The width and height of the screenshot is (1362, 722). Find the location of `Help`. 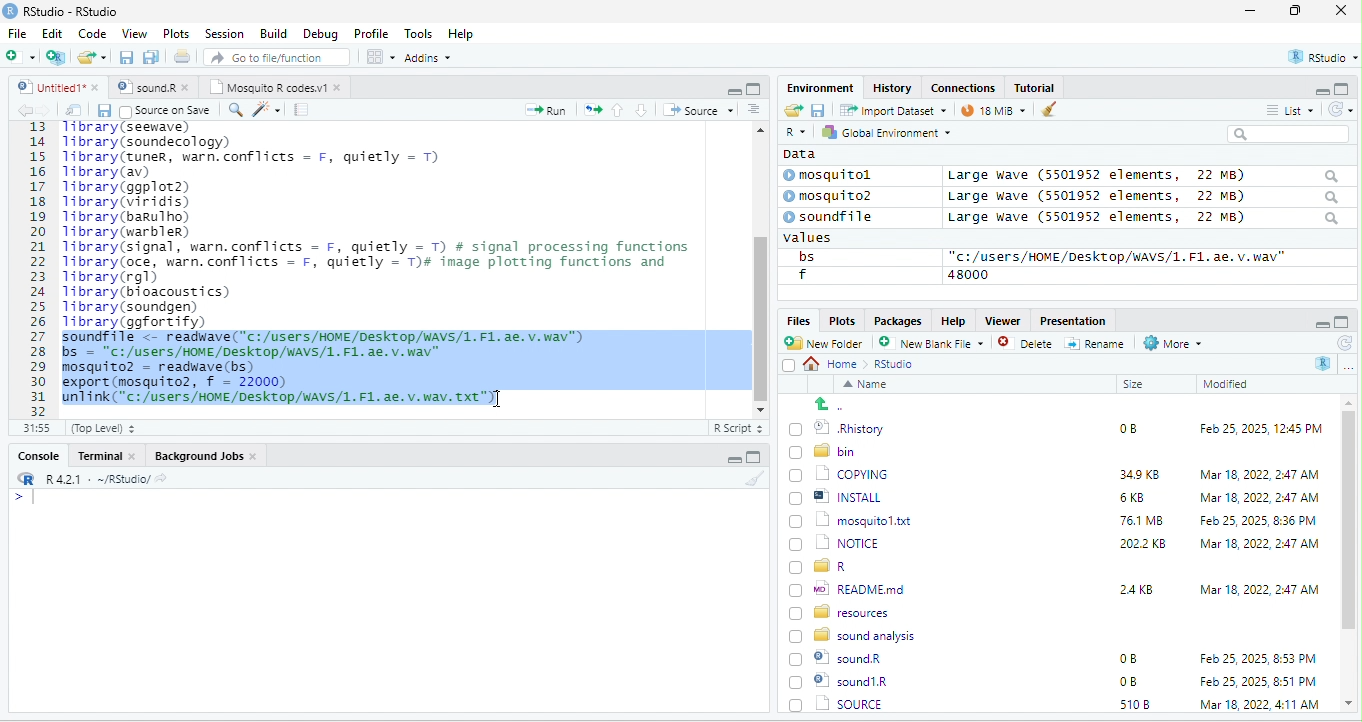

Help is located at coordinates (953, 319).